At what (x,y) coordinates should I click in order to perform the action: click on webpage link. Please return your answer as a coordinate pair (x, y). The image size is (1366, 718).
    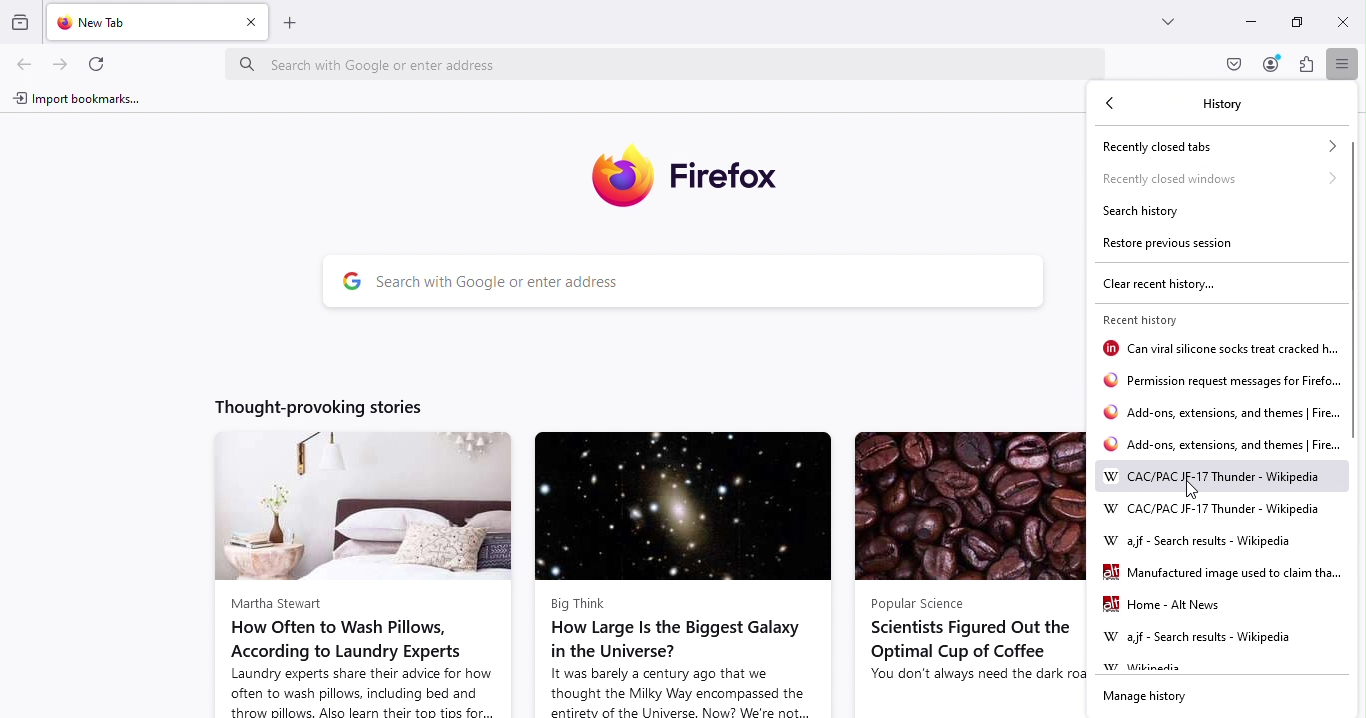
    Looking at the image, I should click on (1221, 447).